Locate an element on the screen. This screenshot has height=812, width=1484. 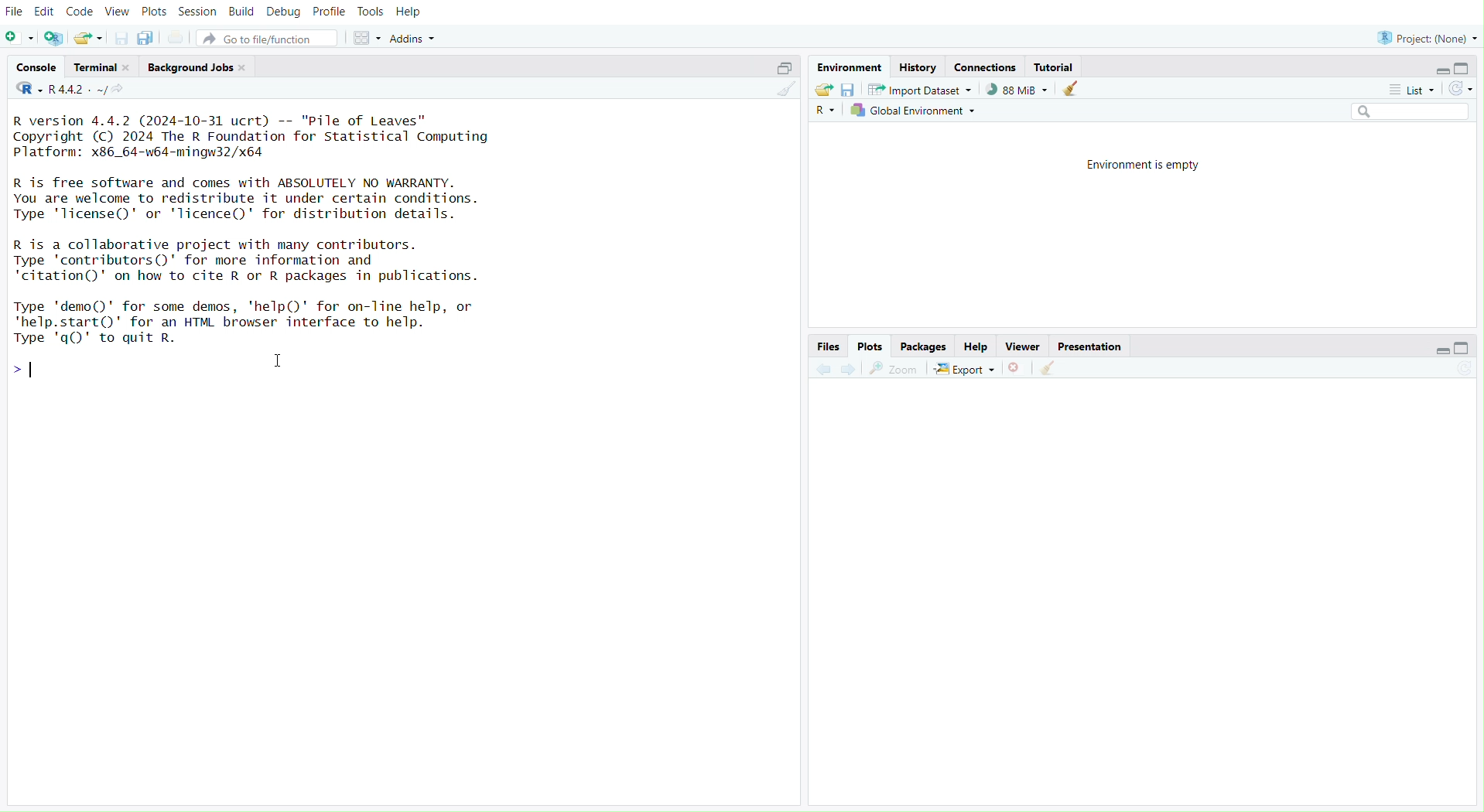
Environment is located at coordinates (848, 67).